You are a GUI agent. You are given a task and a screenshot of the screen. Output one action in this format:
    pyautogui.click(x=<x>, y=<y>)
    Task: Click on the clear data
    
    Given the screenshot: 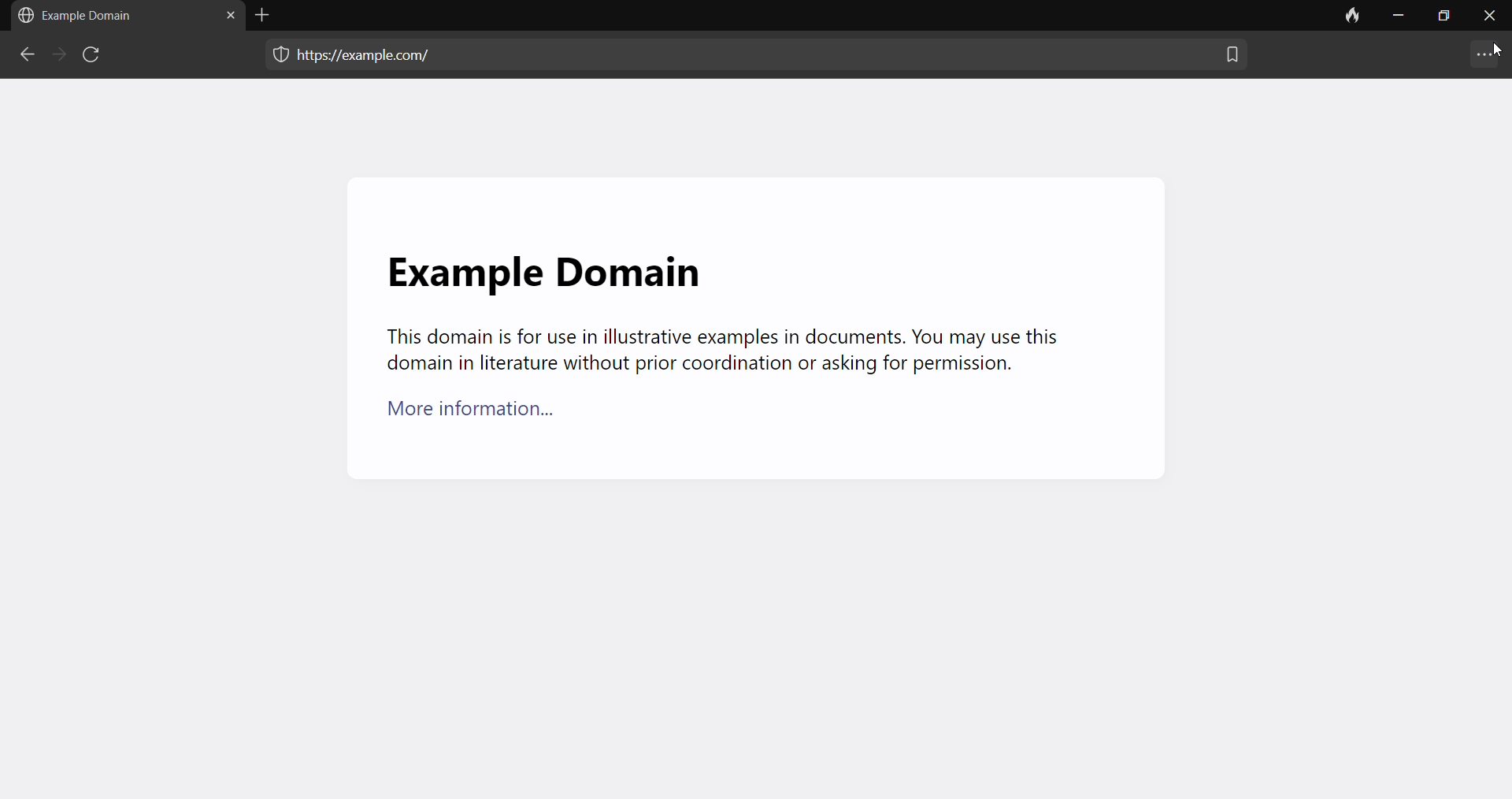 What is the action you would take?
    pyautogui.click(x=1351, y=18)
    